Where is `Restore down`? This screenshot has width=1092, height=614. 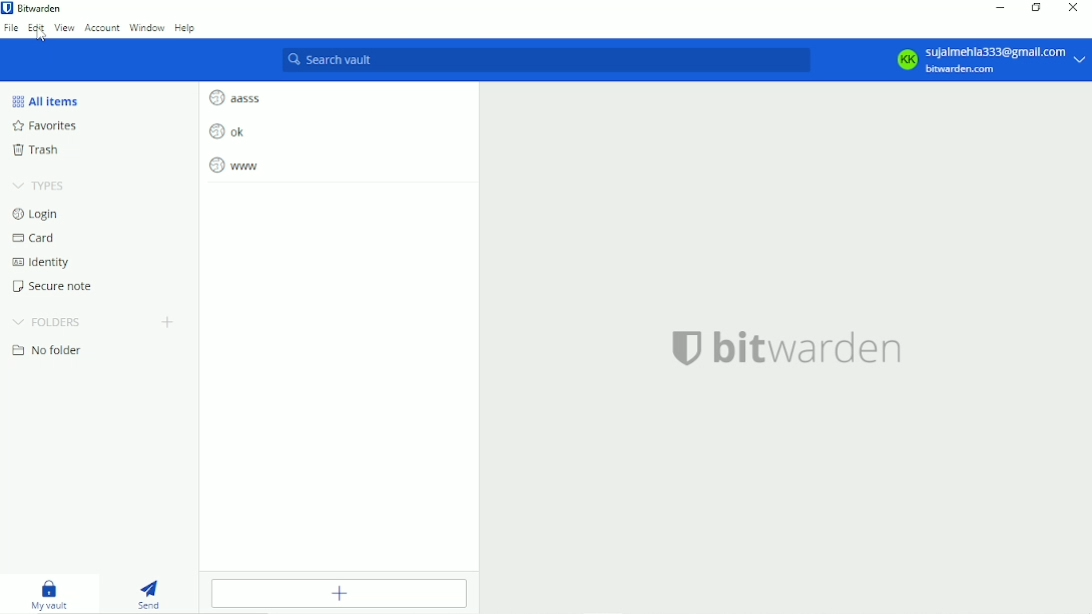
Restore down is located at coordinates (1037, 9).